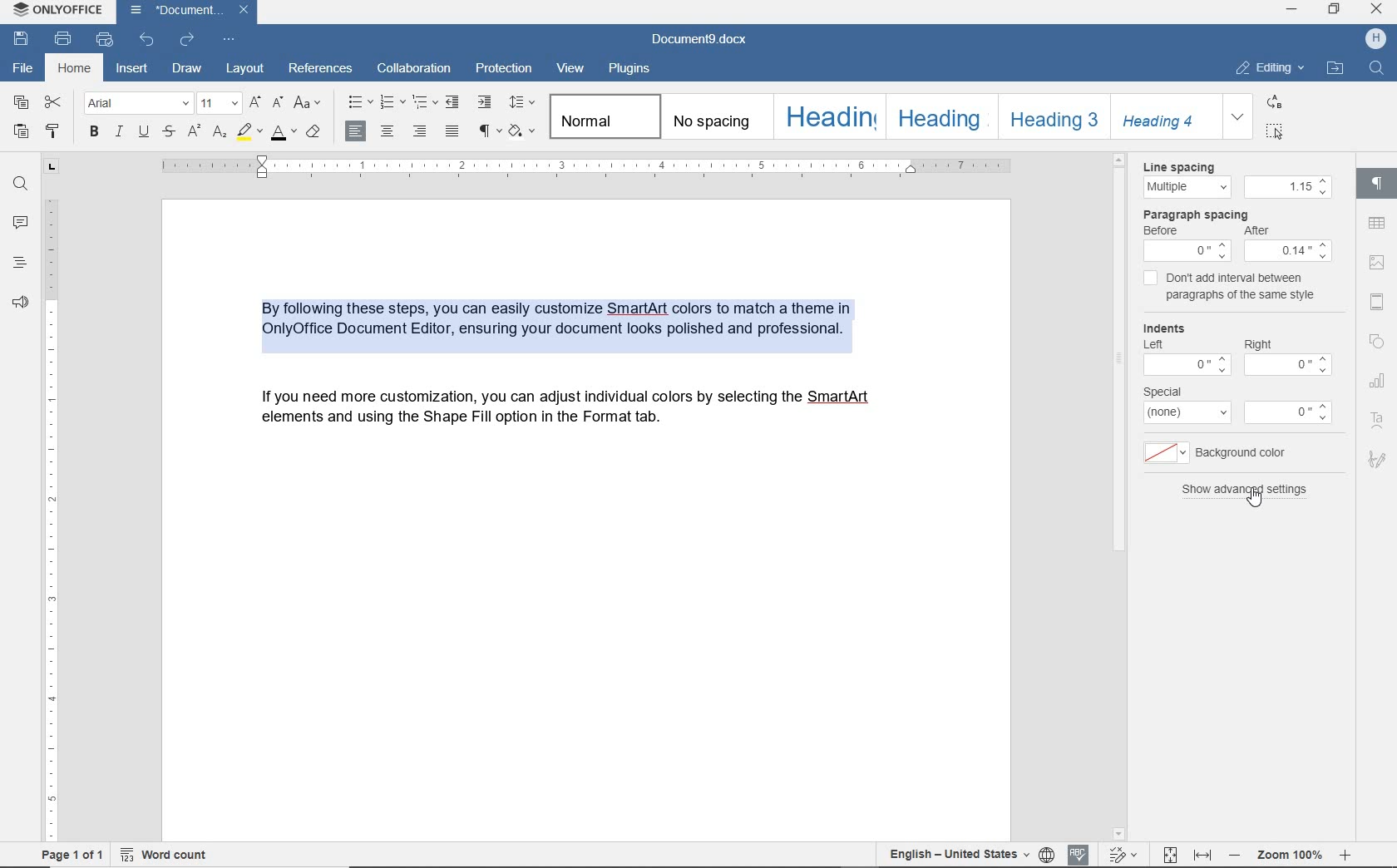 This screenshot has height=868, width=1397. Describe the element at coordinates (20, 184) in the screenshot. I see `find` at that location.